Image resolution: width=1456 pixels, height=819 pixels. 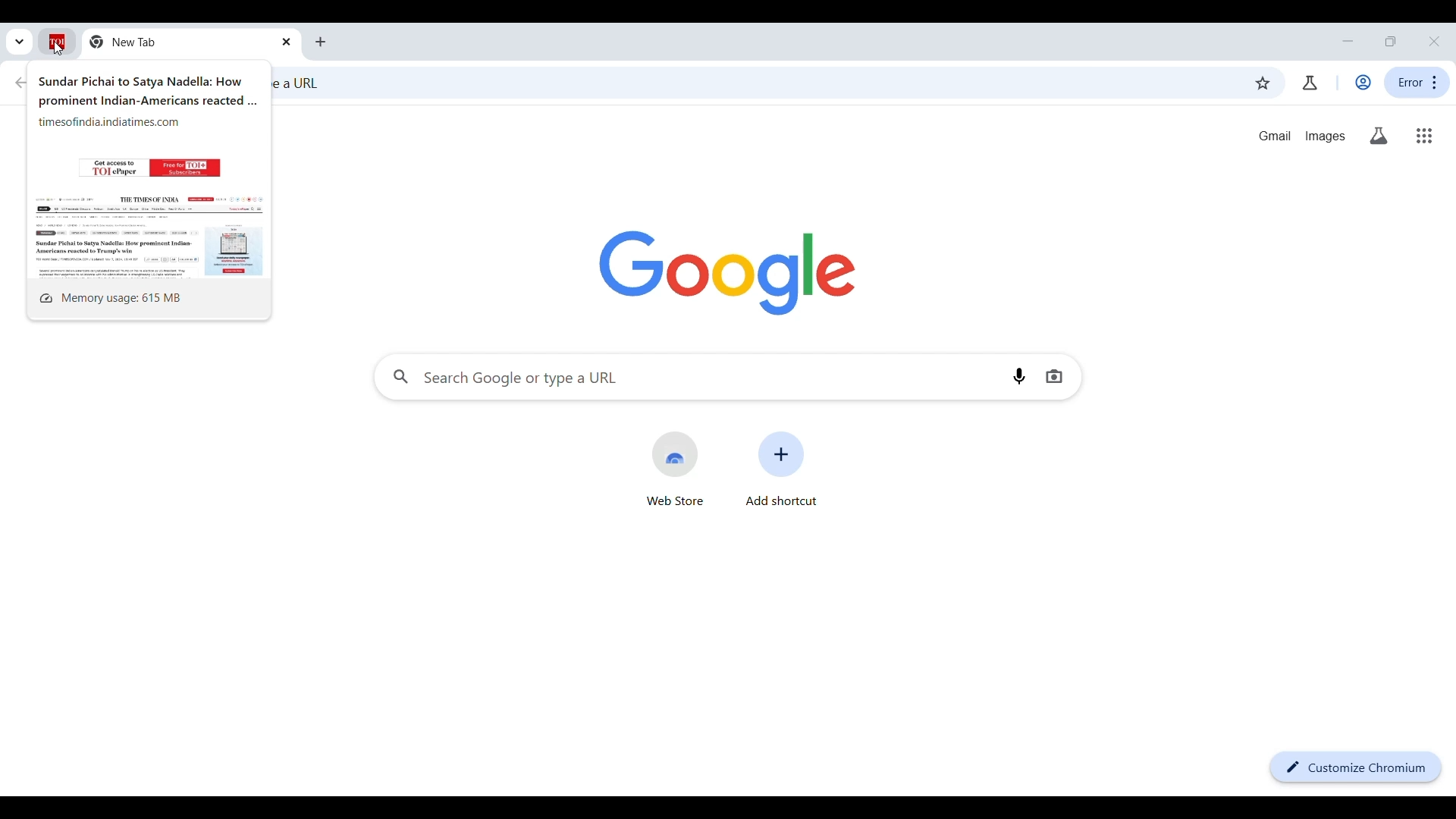 What do you see at coordinates (58, 41) in the screenshot?
I see `Pinned tab` at bounding box center [58, 41].